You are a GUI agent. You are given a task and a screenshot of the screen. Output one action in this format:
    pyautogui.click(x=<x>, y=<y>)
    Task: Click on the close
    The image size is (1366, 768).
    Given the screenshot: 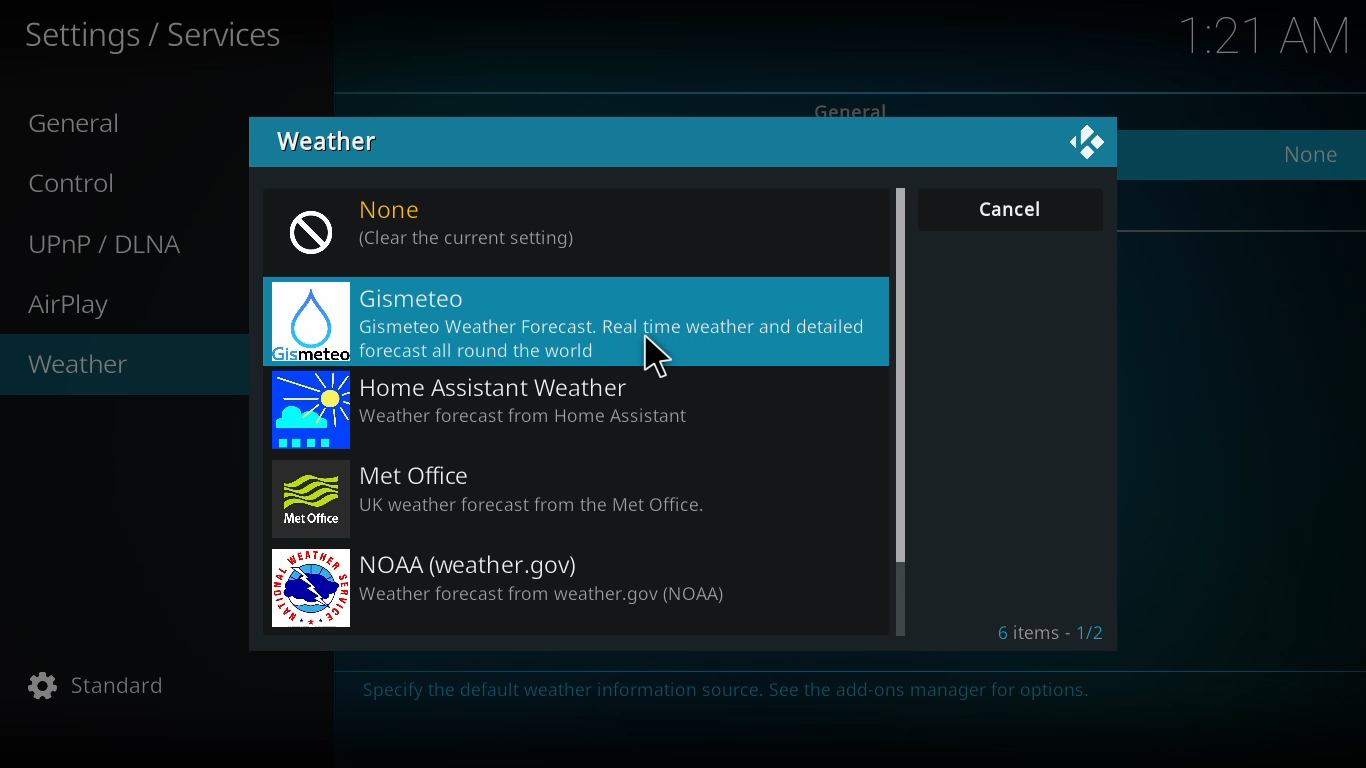 What is the action you would take?
    pyautogui.click(x=1088, y=144)
    